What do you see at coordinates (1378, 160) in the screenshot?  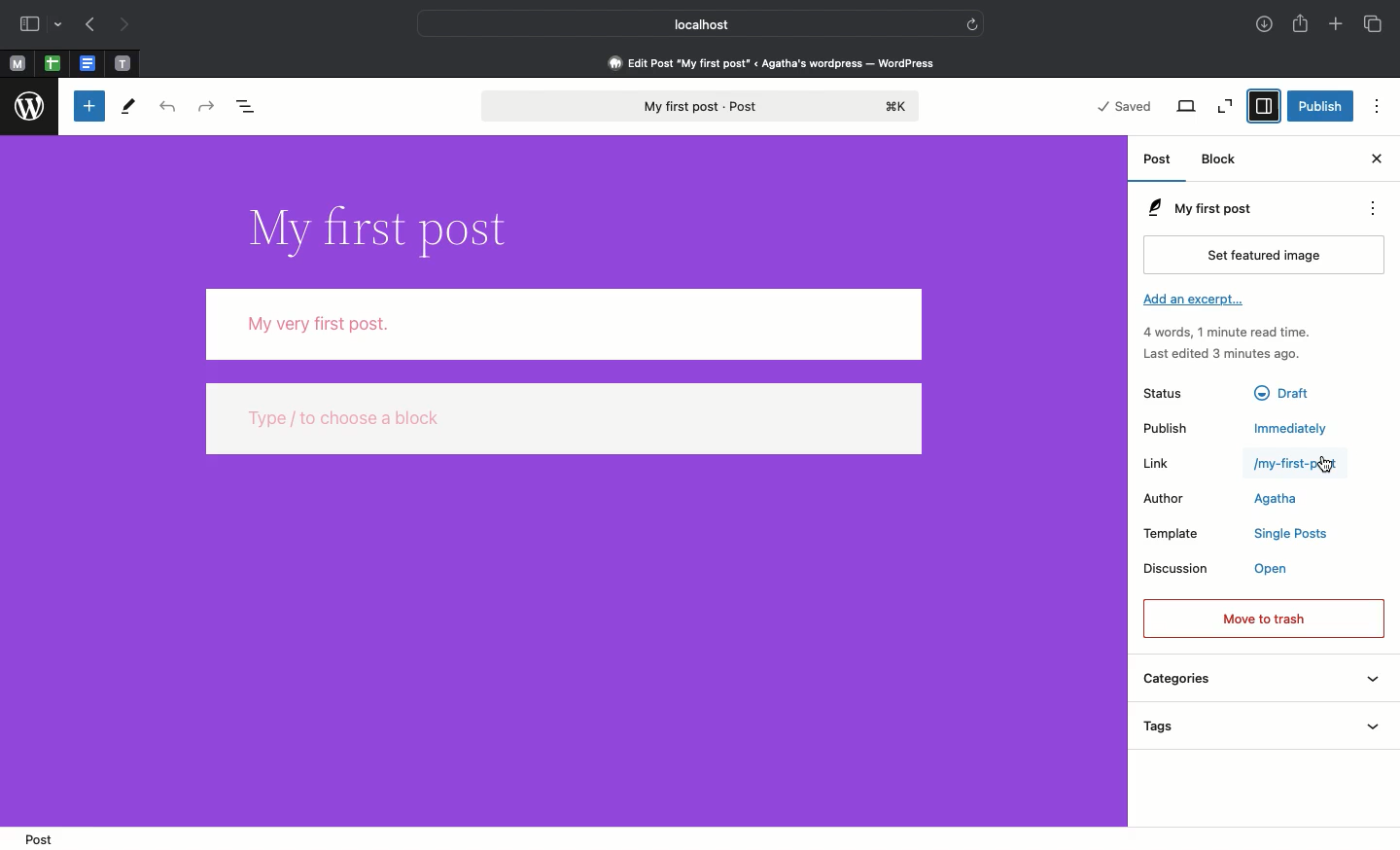 I see `Close` at bounding box center [1378, 160].